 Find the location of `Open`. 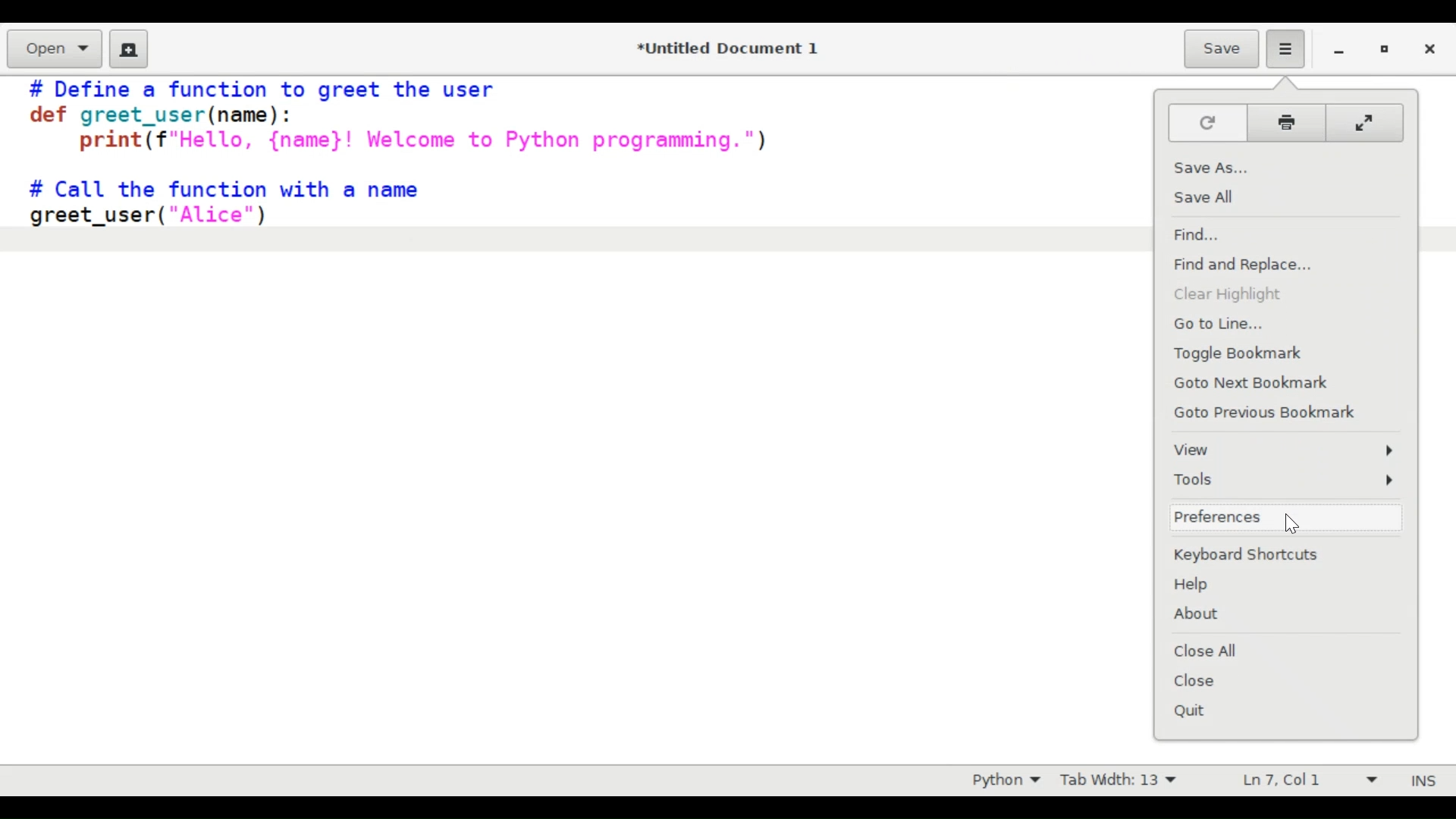

Open is located at coordinates (54, 49).